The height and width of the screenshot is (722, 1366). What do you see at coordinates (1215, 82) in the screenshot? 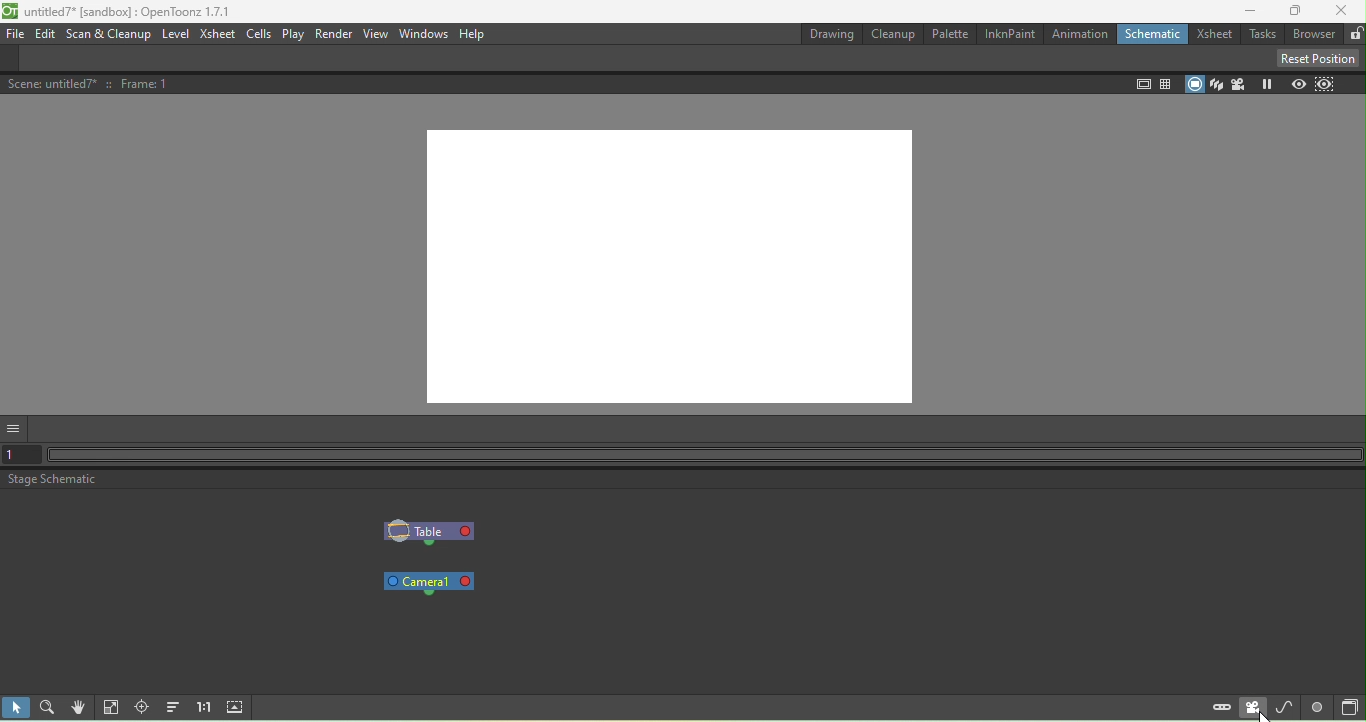
I see `3D view` at bounding box center [1215, 82].